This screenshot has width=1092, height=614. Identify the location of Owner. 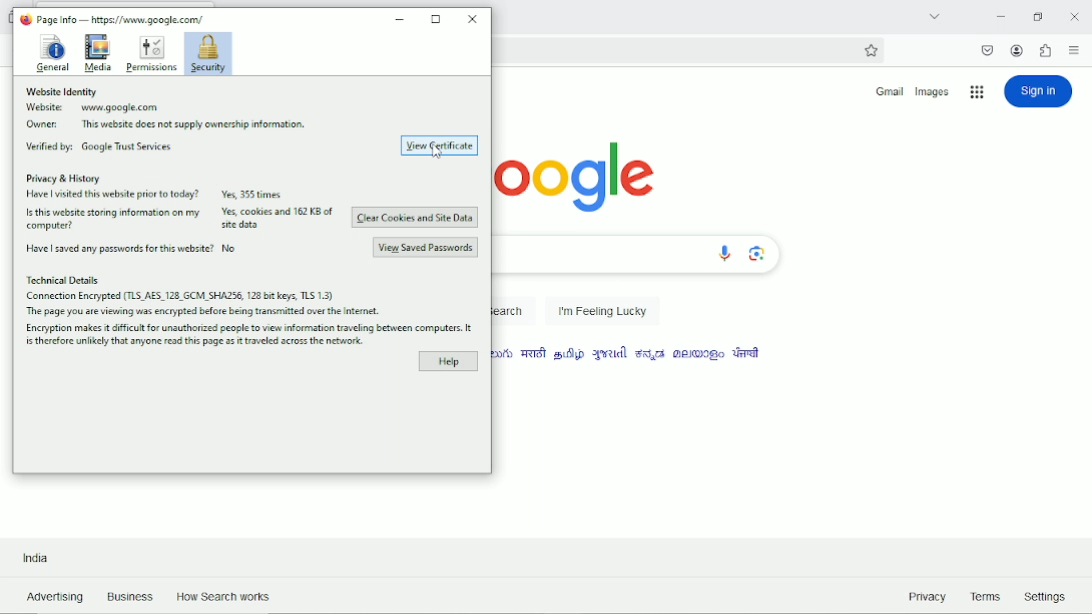
(43, 125).